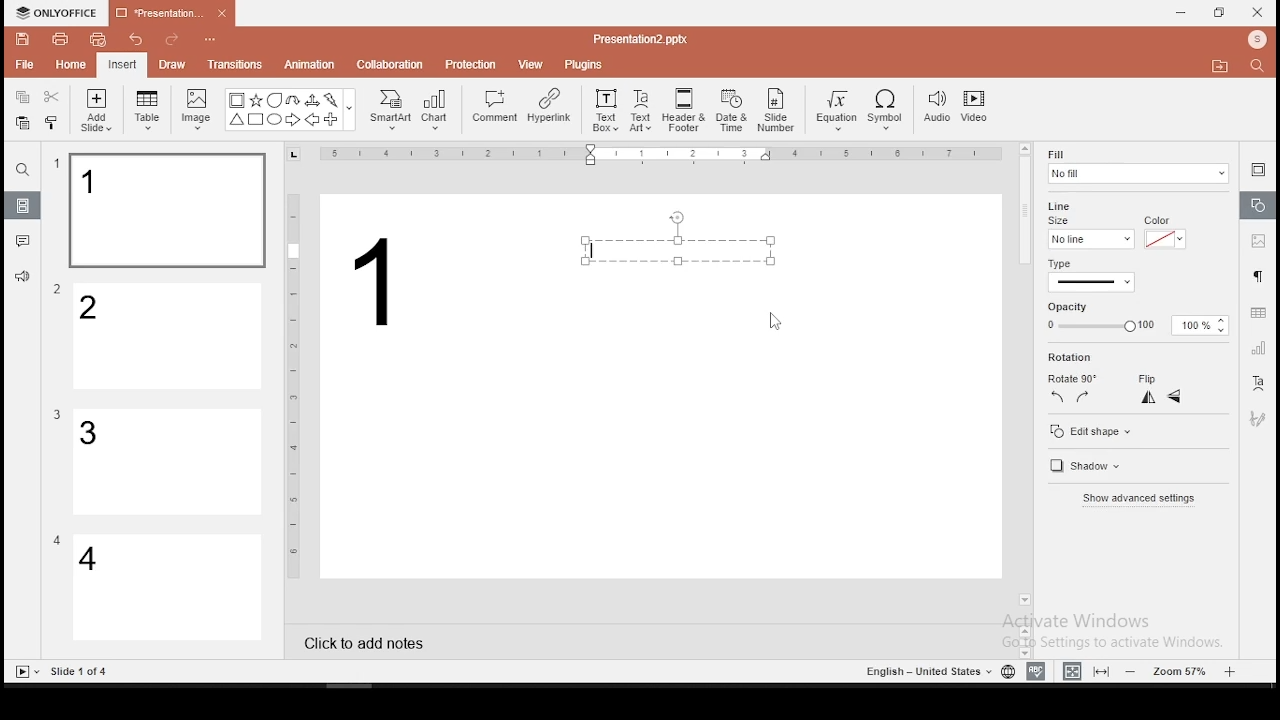  Describe the element at coordinates (1137, 501) in the screenshot. I see `show advanced settings` at that location.